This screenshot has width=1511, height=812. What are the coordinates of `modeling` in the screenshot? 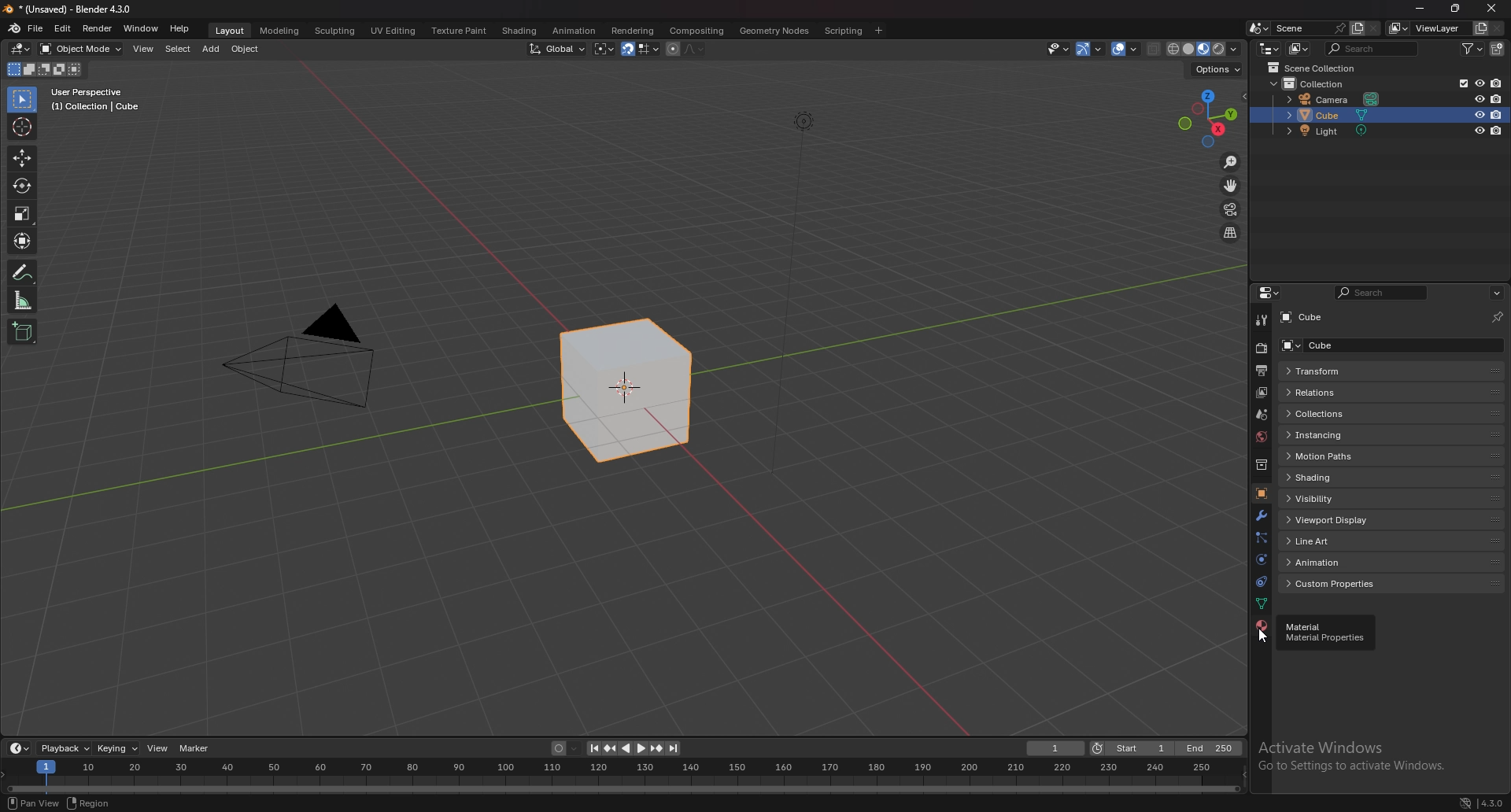 It's located at (279, 30).